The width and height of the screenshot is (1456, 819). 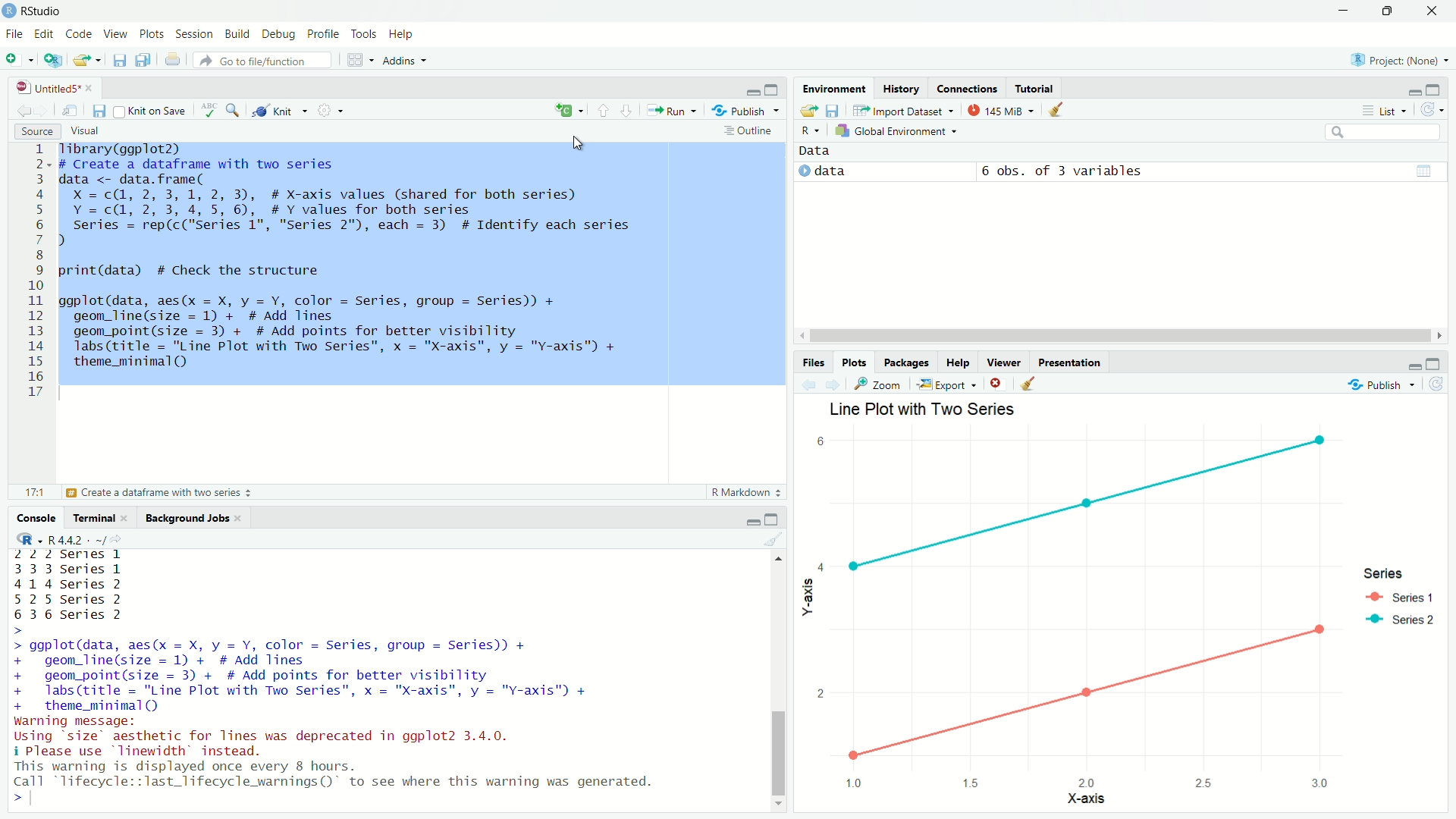 What do you see at coordinates (122, 61) in the screenshot?
I see `Save current document` at bounding box center [122, 61].